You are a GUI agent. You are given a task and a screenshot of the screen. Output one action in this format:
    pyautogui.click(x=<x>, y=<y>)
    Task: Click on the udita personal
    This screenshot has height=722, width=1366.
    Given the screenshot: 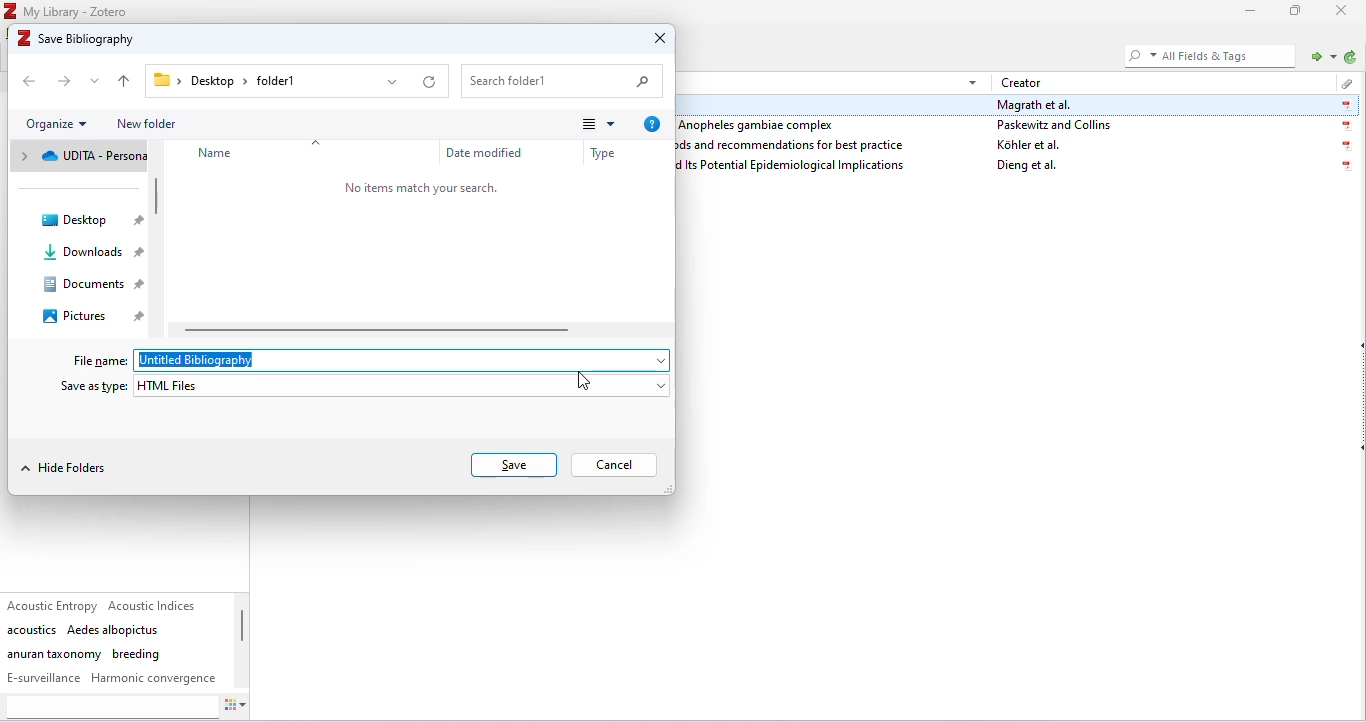 What is the action you would take?
    pyautogui.click(x=79, y=156)
    